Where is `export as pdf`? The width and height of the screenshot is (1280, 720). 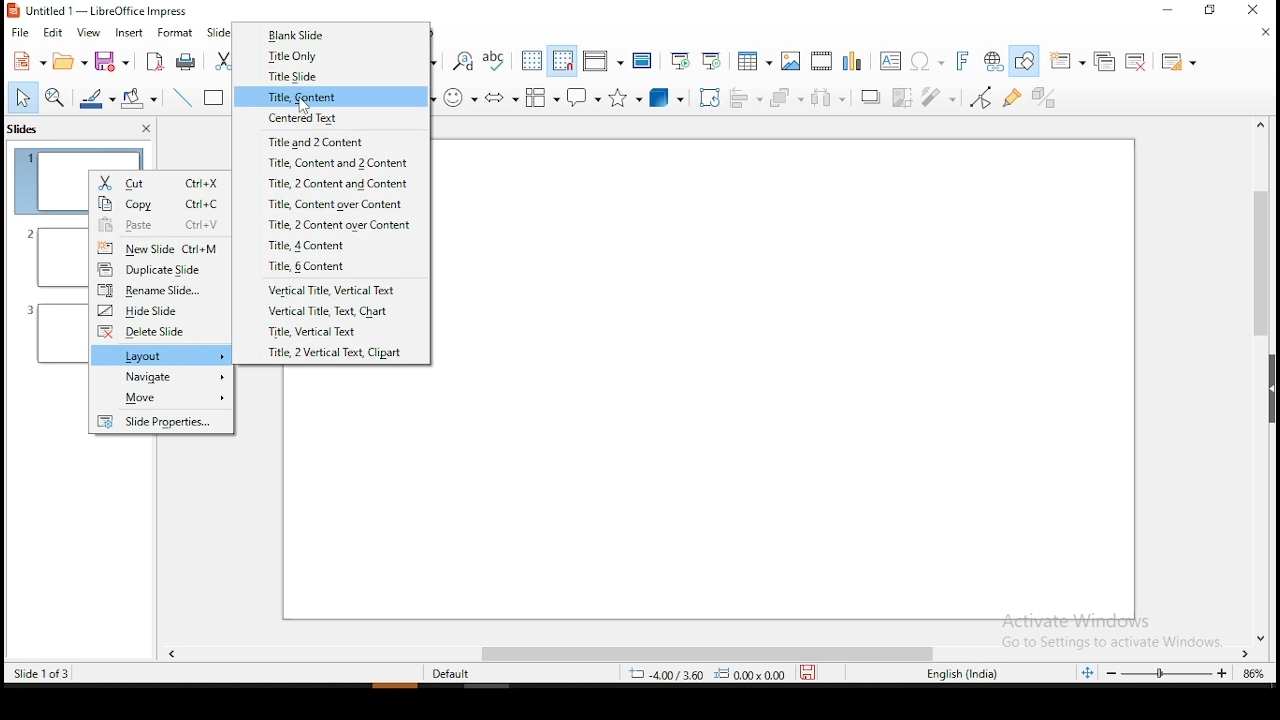
export as pdf is located at coordinates (153, 64).